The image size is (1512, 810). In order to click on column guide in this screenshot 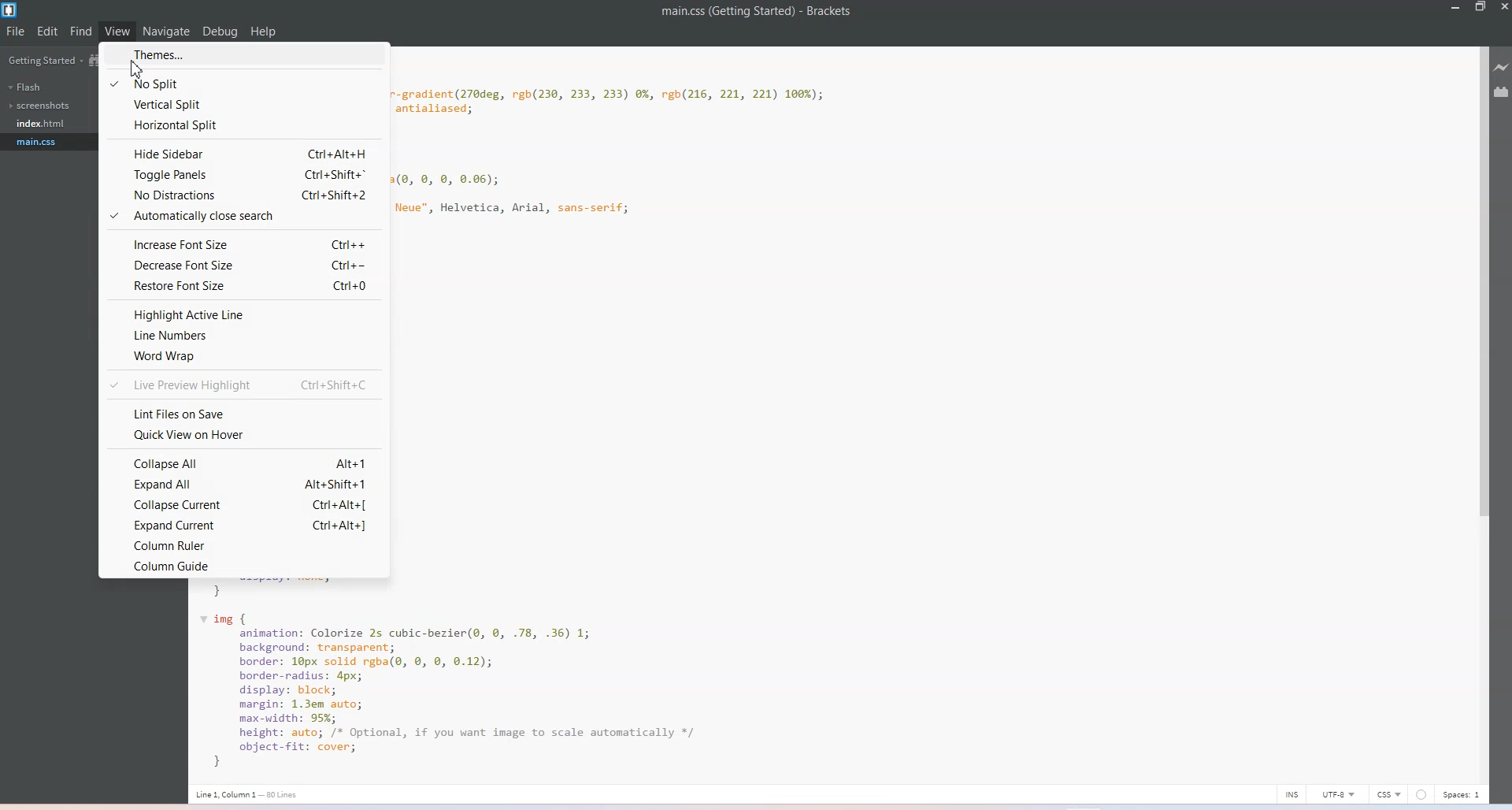, I will do `click(246, 564)`.